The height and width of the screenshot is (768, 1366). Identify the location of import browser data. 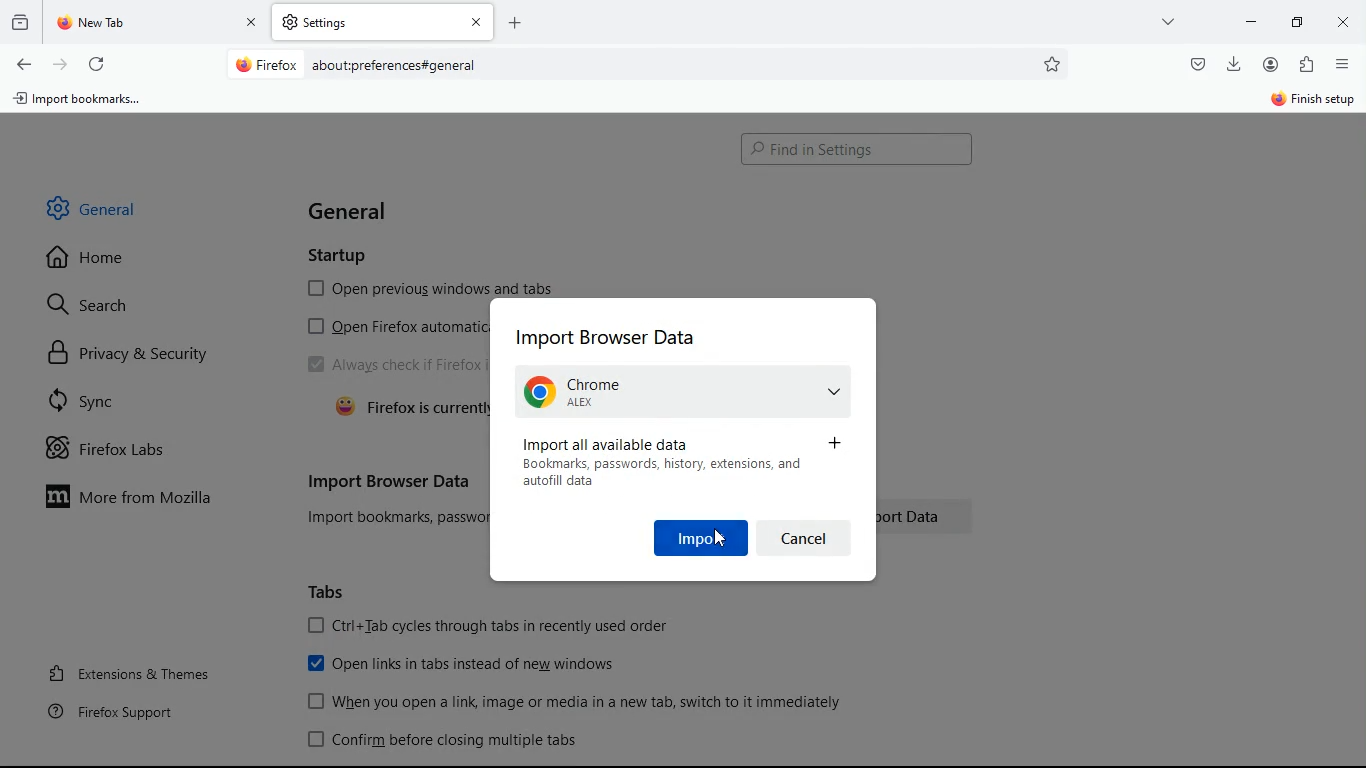
(609, 336).